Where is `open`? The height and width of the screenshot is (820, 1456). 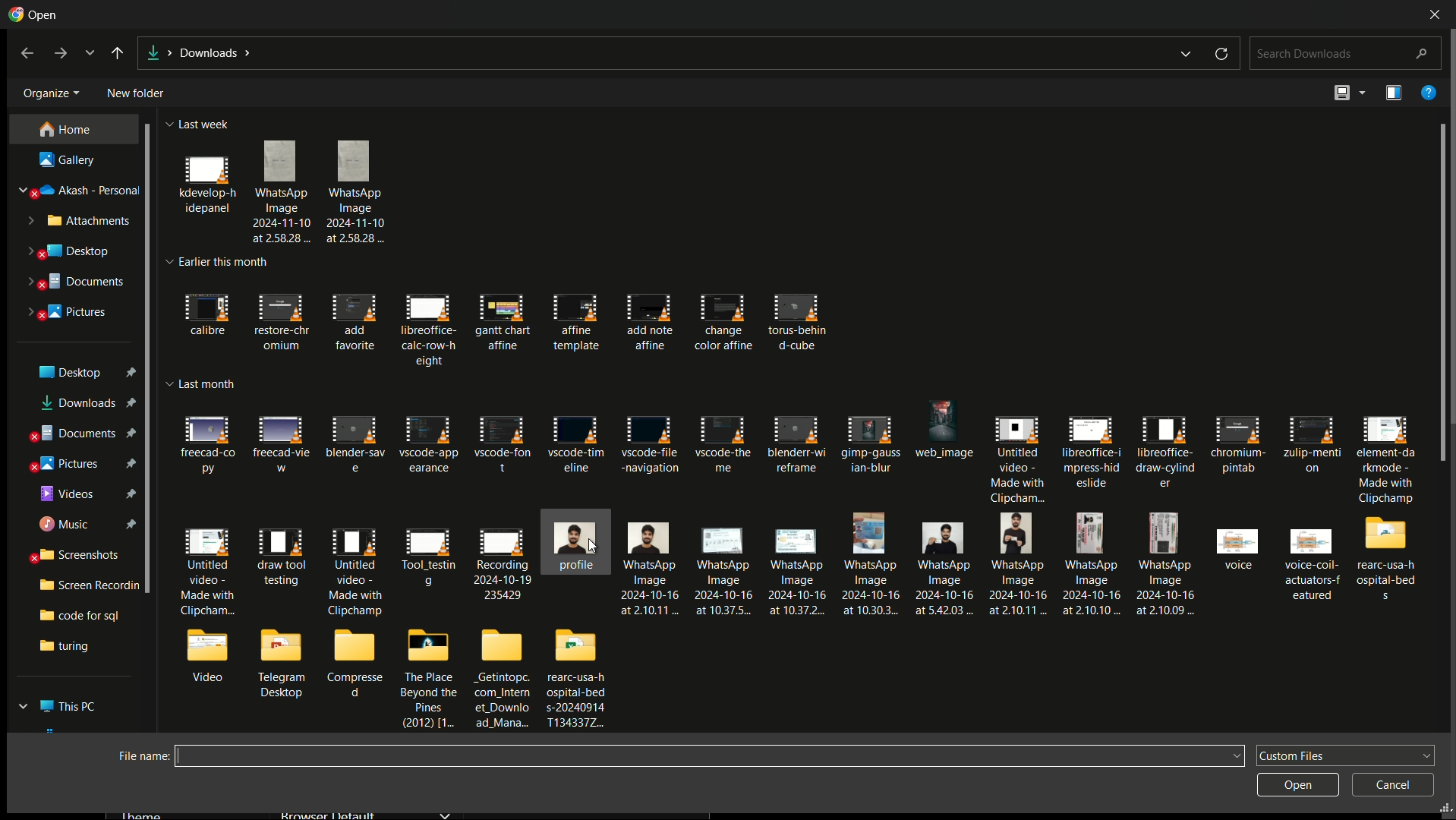
open is located at coordinates (48, 17).